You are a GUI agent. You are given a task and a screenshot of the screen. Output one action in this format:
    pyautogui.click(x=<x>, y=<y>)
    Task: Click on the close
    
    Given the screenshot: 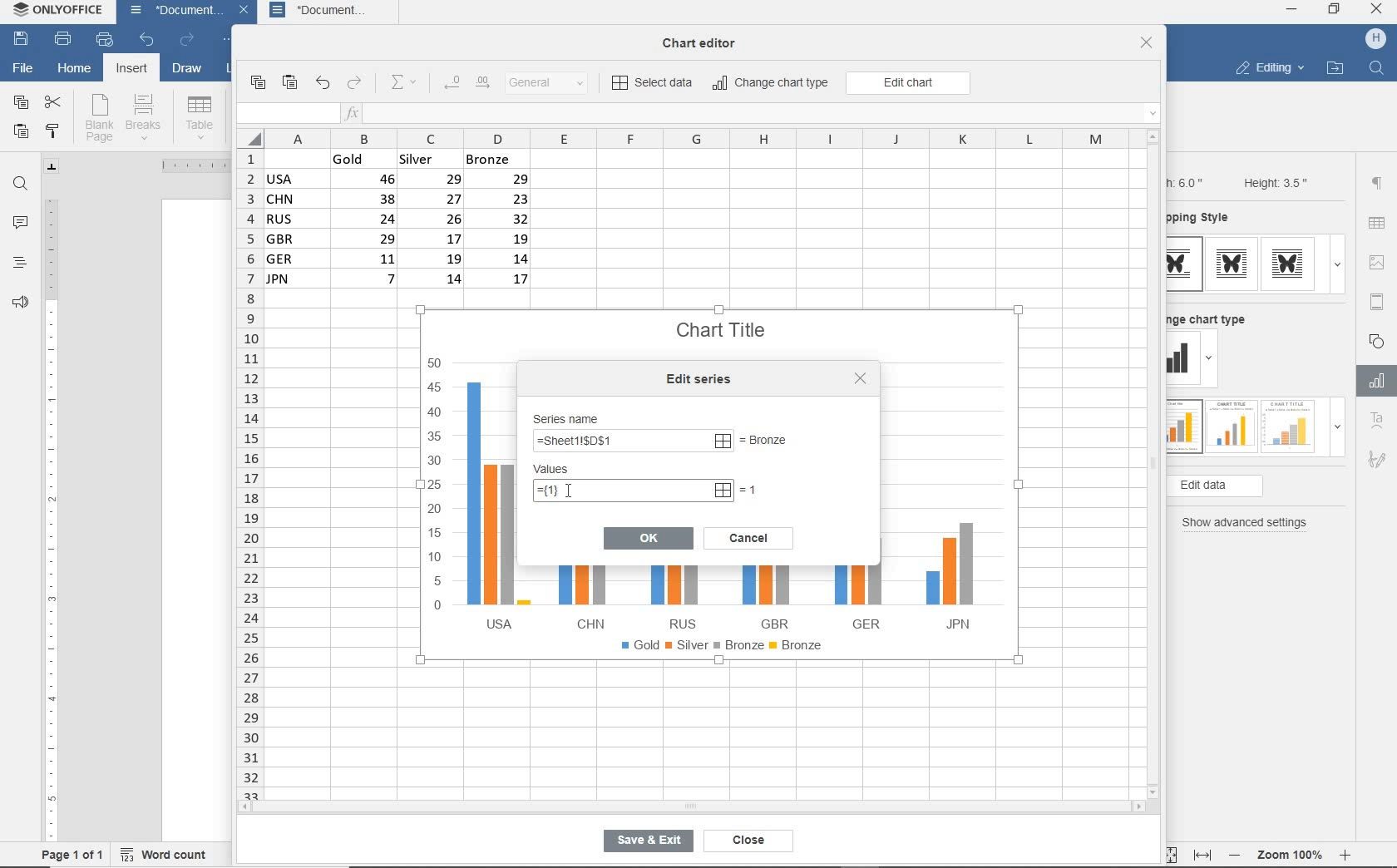 What is the action you would take?
    pyautogui.click(x=246, y=12)
    